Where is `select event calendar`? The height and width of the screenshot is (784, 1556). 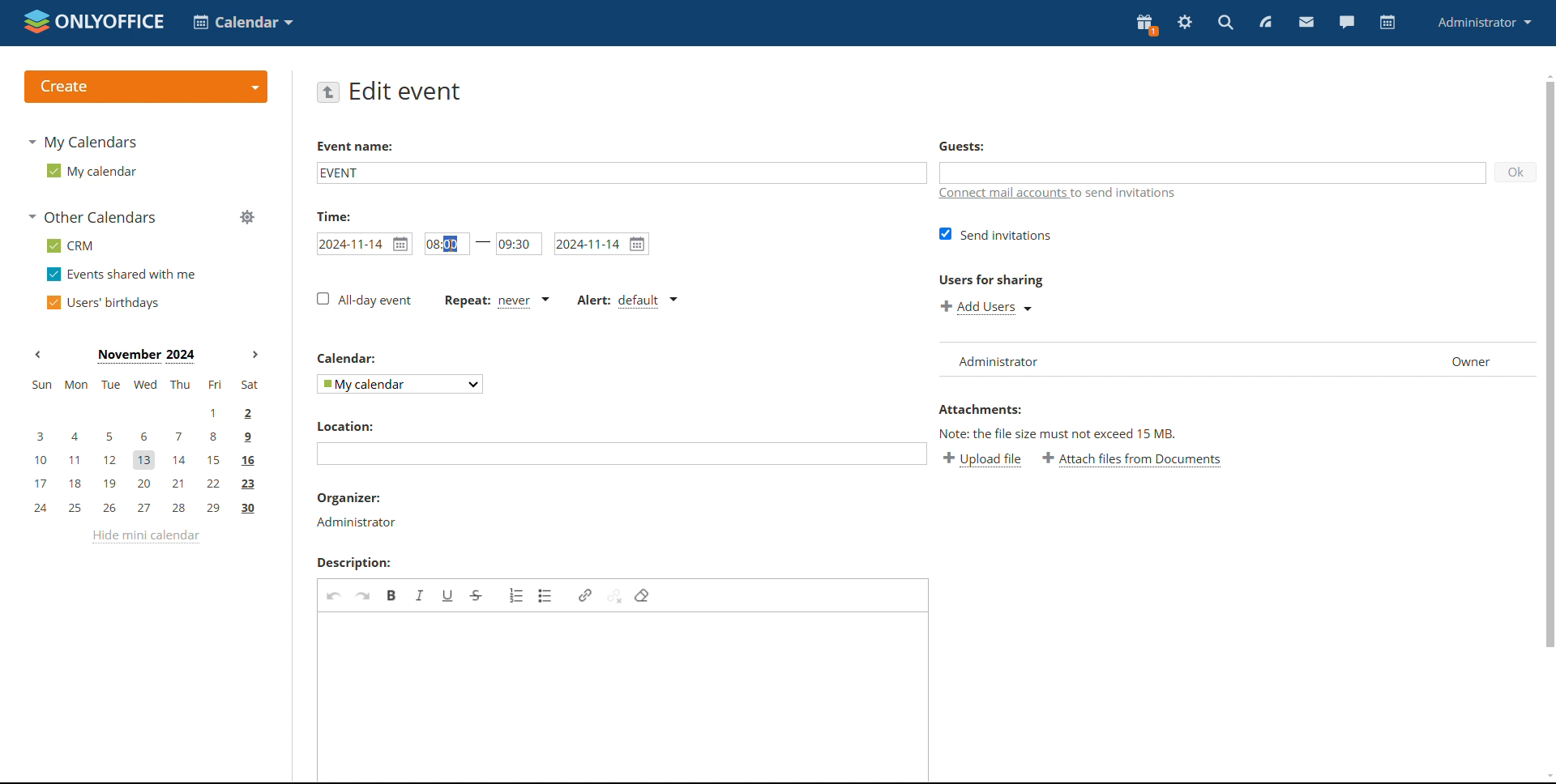 select event calendar is located at coordinates (400, 384).